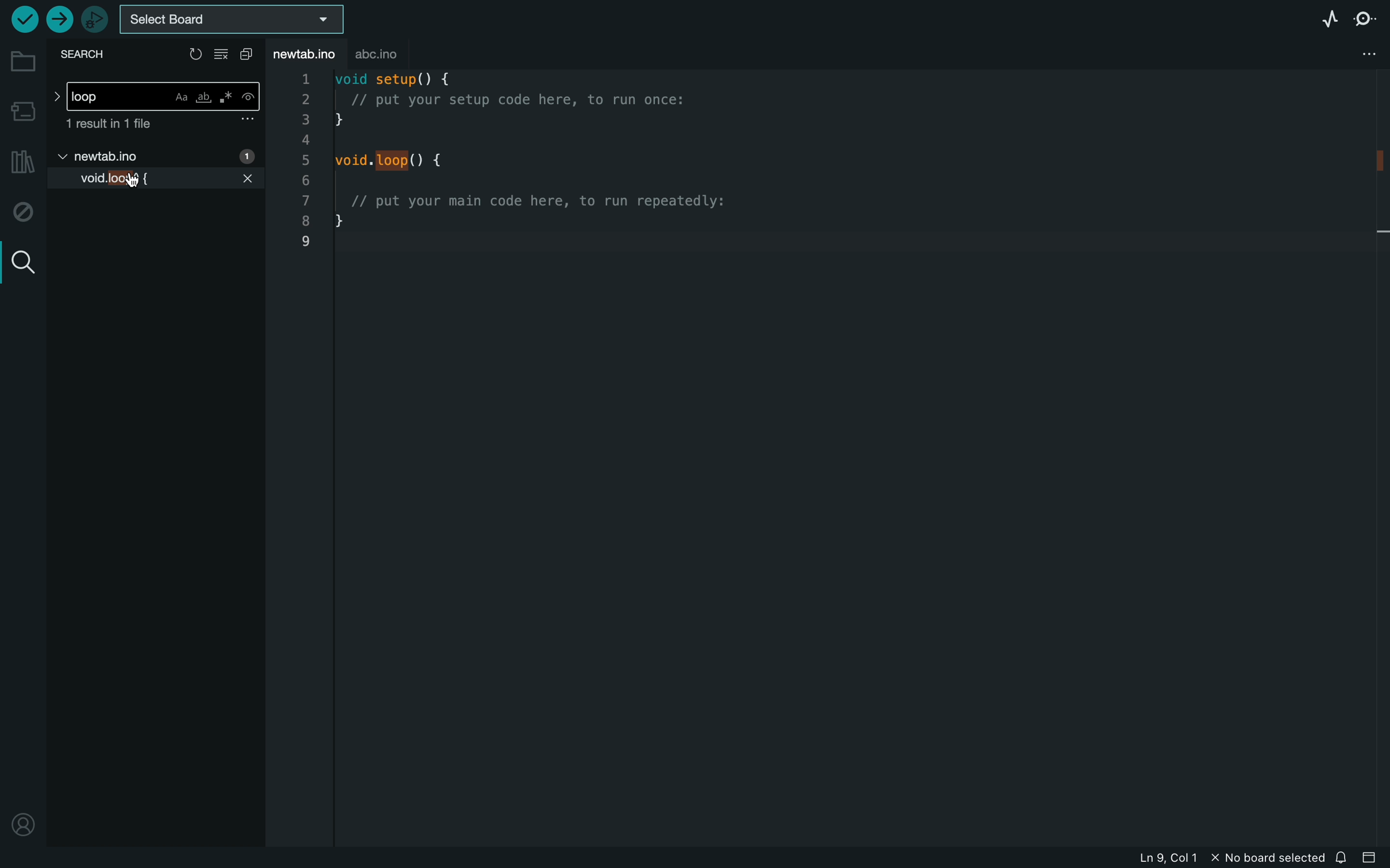 The width and height of the screenshot is (1390, 868). Describe the element at coordinates (237, 19) in the screenshot. I see `board selecter` at that location.